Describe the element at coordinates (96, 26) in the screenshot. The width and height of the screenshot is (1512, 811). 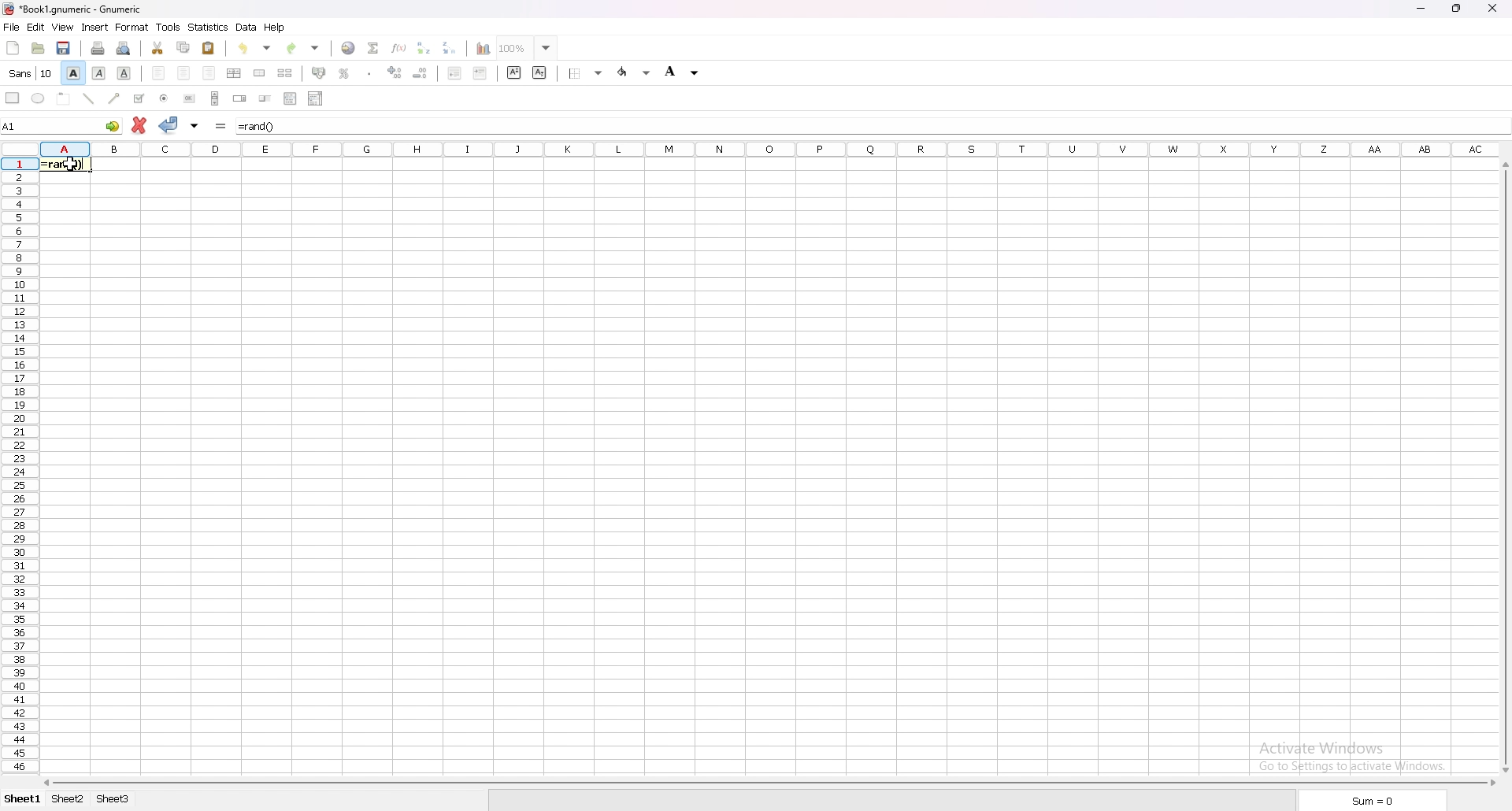
I see `insert` at that location.